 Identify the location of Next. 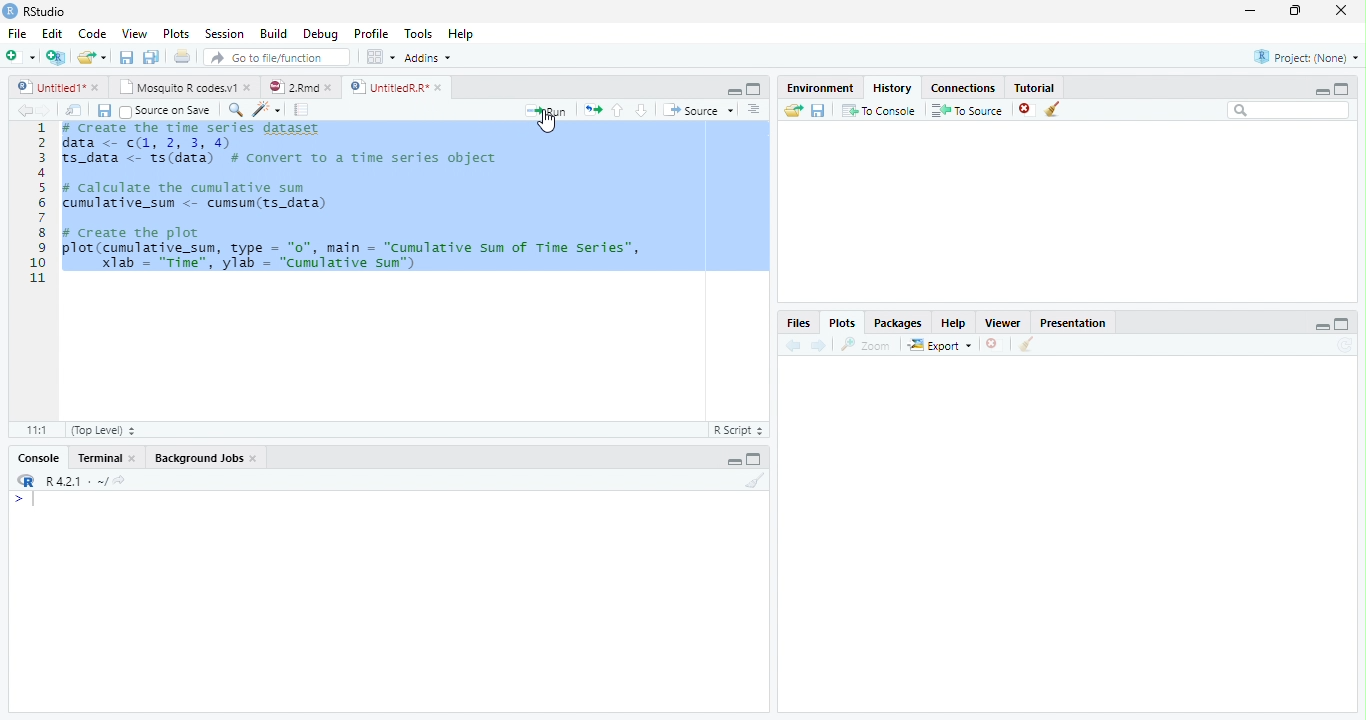
(46, 110).